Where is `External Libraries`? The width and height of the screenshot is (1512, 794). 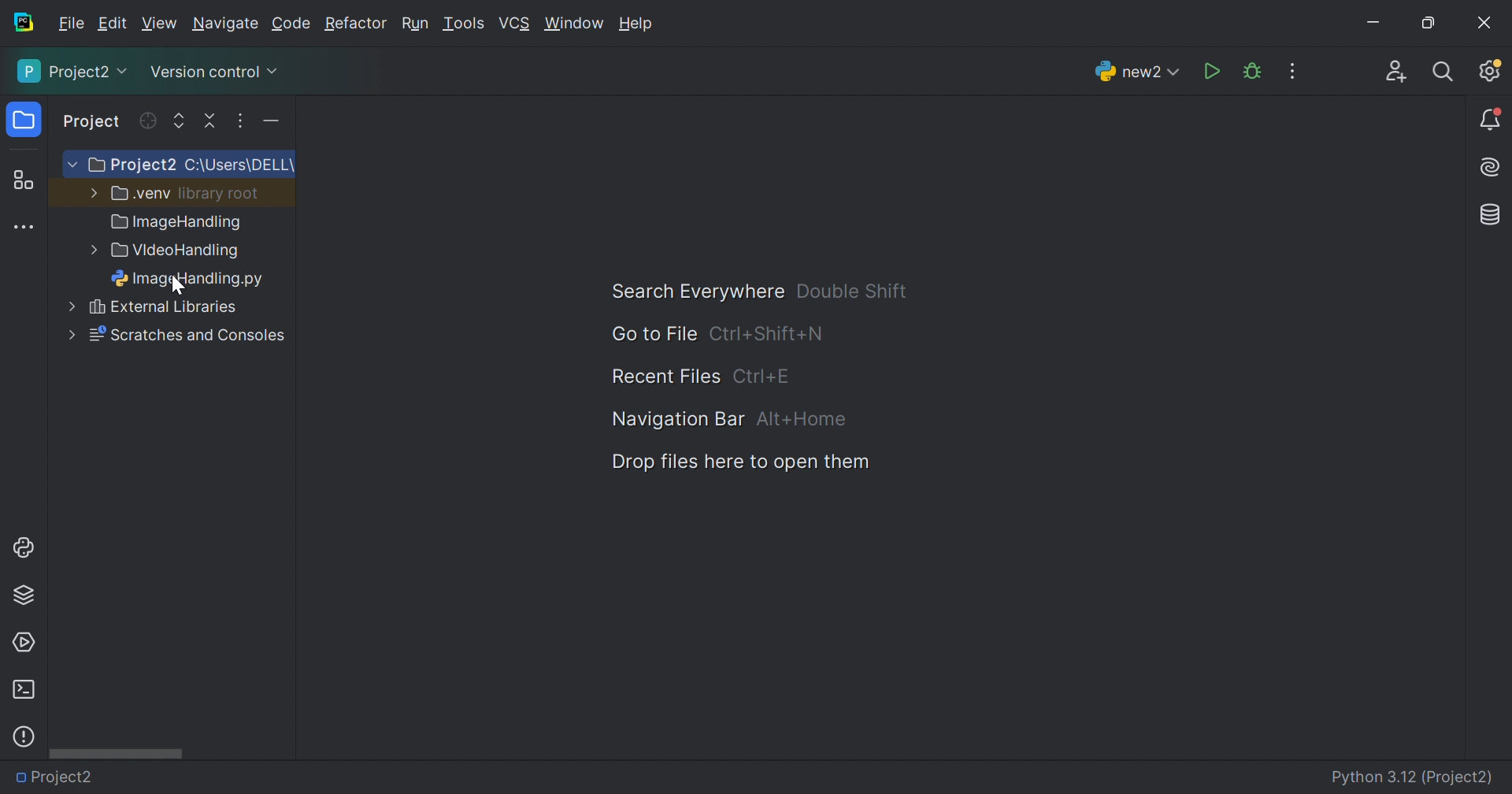 External Libraries is located at coordinates (187, 336).